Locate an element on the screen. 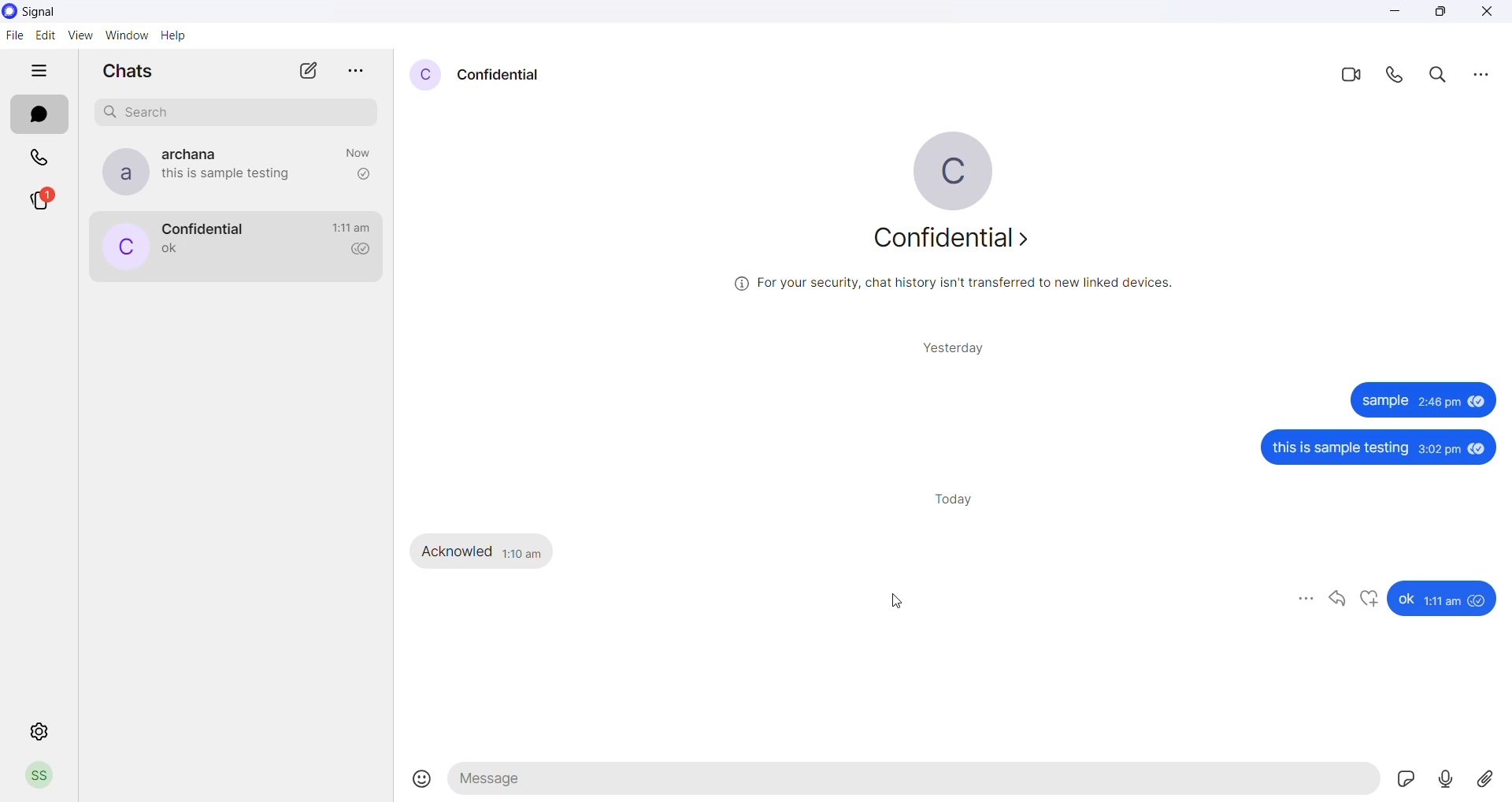  chats heading is located at coordinates (127, 74).